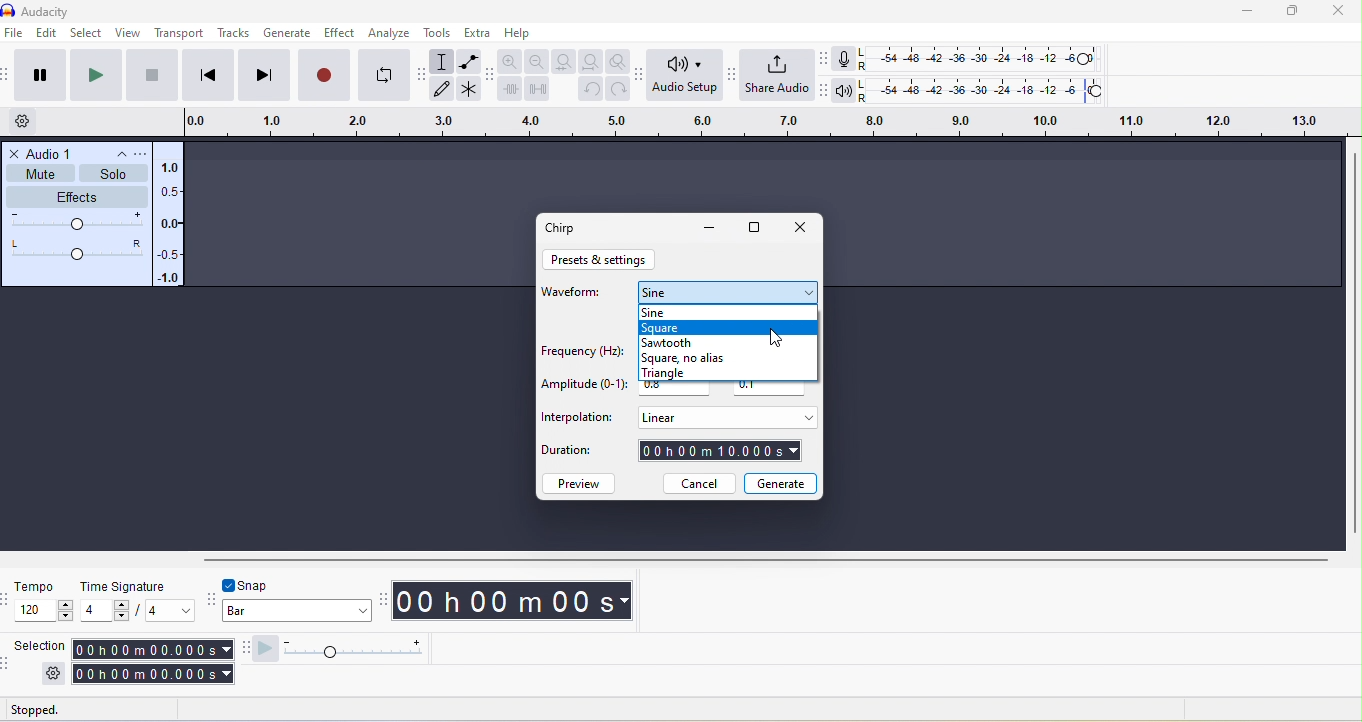  Describe the element at coordinates (39, 645) in the screenshot. I see `selection` at that location.